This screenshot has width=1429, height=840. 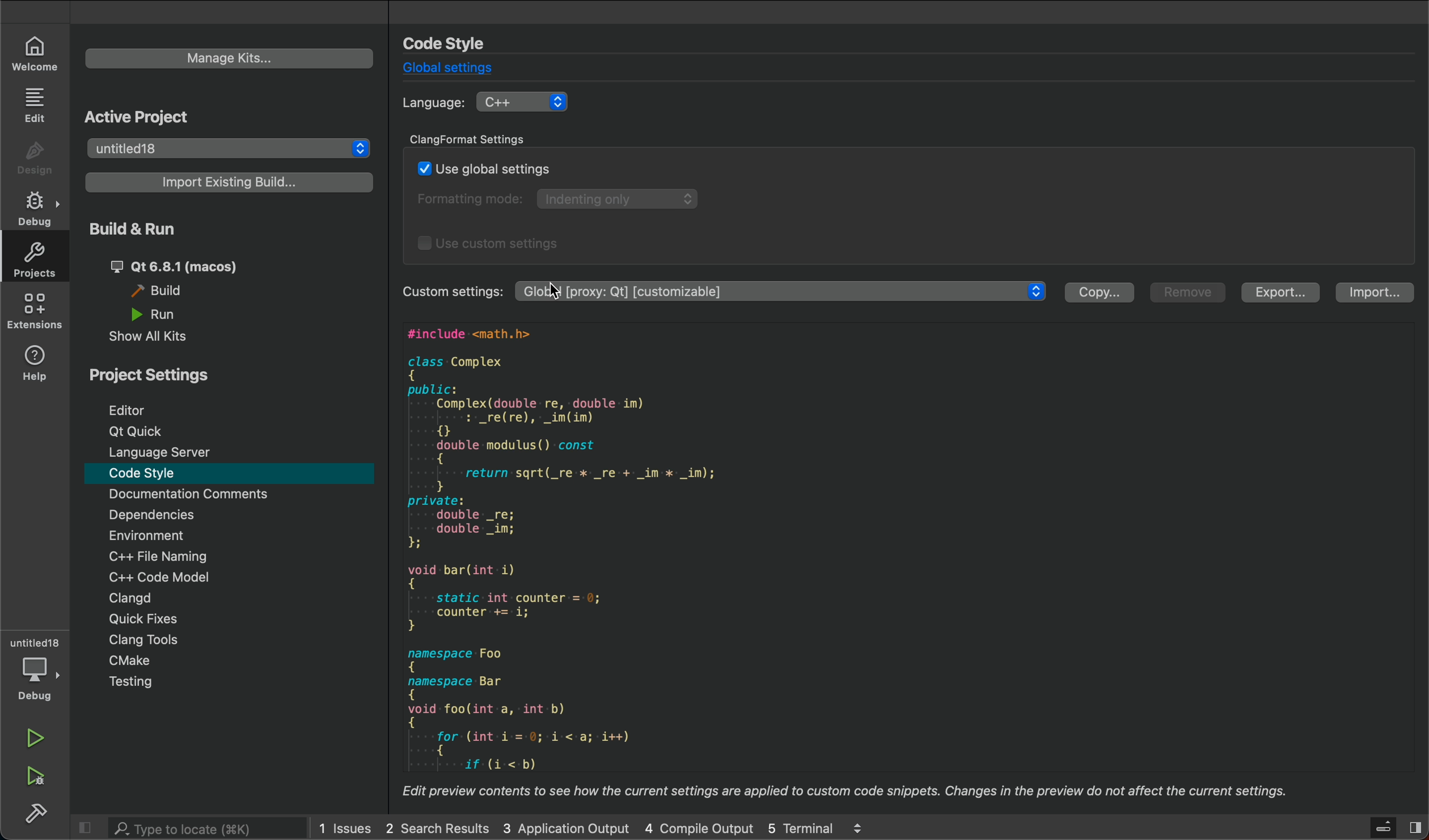 What do you see at coordinates (205, 826) in the screenshot?
I see `search bar` at bounding box center [205, 826].